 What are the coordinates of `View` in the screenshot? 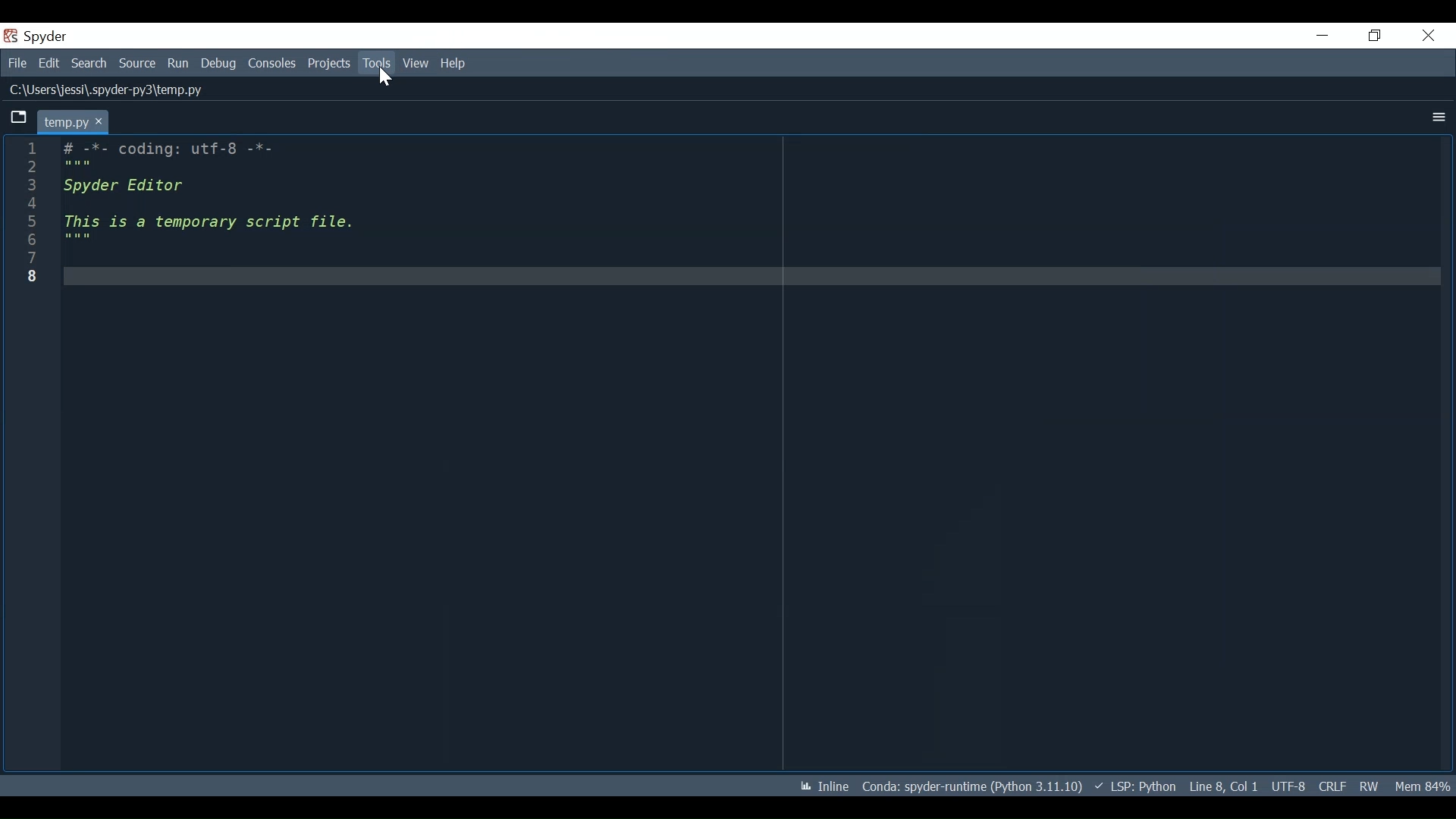 It's located at (415, 64).